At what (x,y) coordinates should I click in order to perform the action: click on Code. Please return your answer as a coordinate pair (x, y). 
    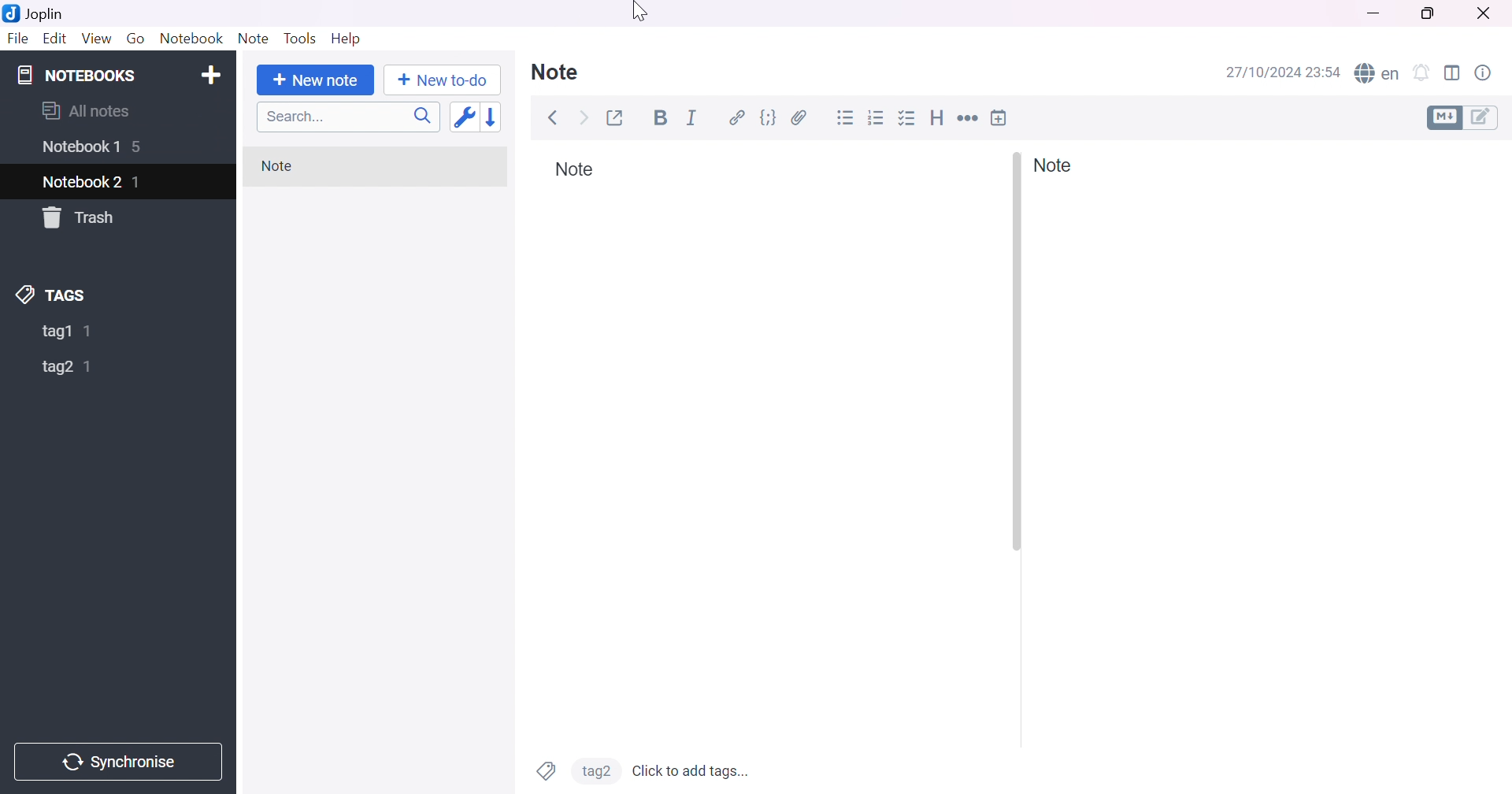
    Looking at the image, I should click on (769, 121).